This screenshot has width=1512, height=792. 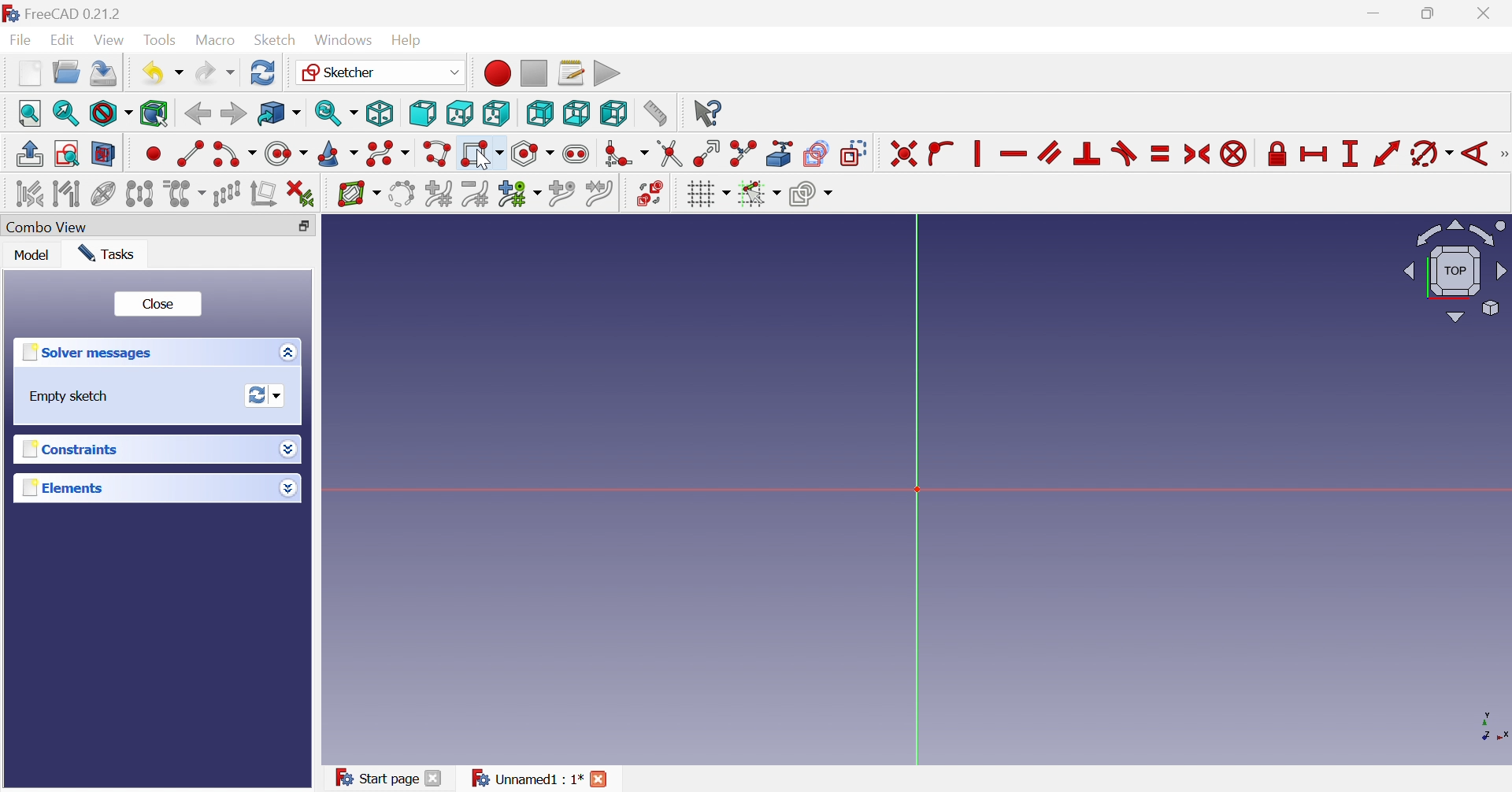 I want to click on Macro, so click(x=214, y=41).